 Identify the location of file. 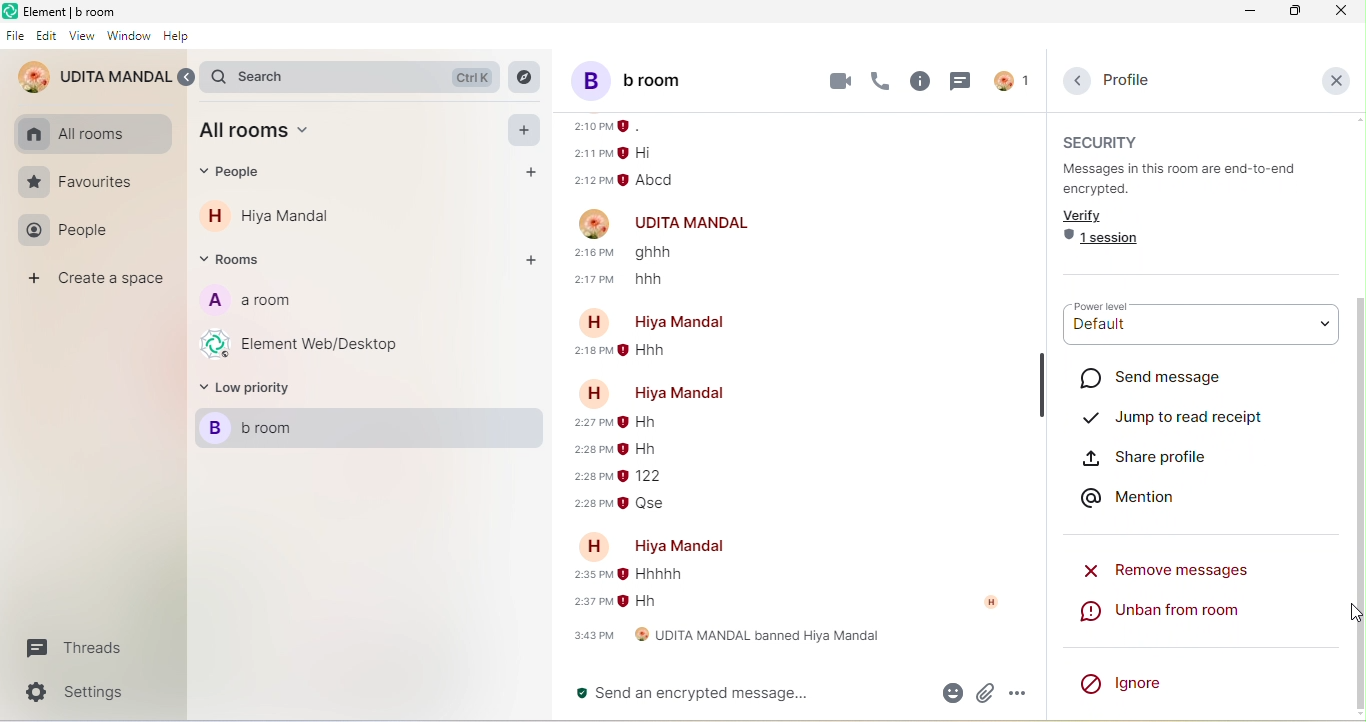
(15, 37).